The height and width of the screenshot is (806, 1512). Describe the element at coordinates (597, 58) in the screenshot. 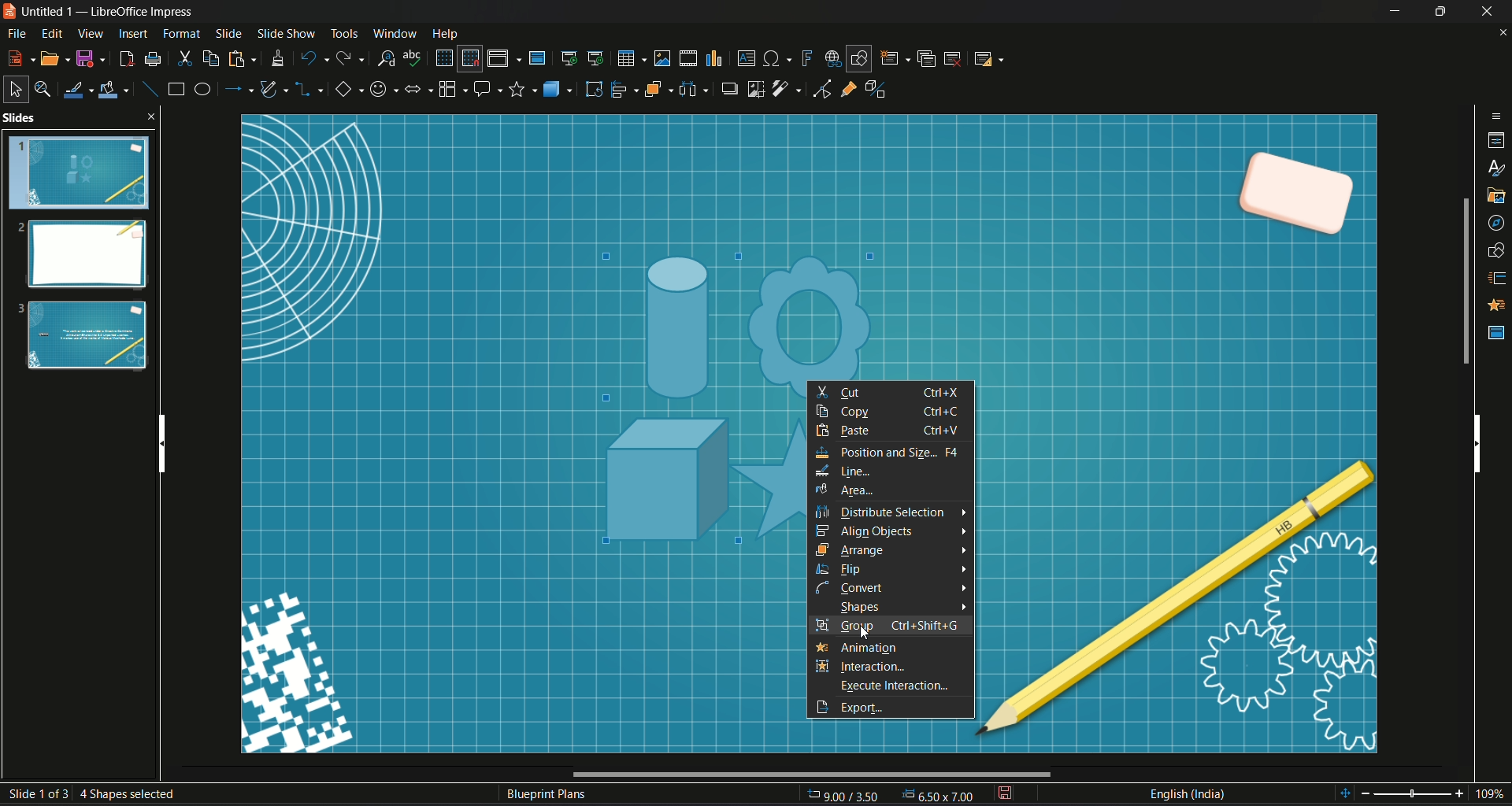

I see `start from current slide` at that location.